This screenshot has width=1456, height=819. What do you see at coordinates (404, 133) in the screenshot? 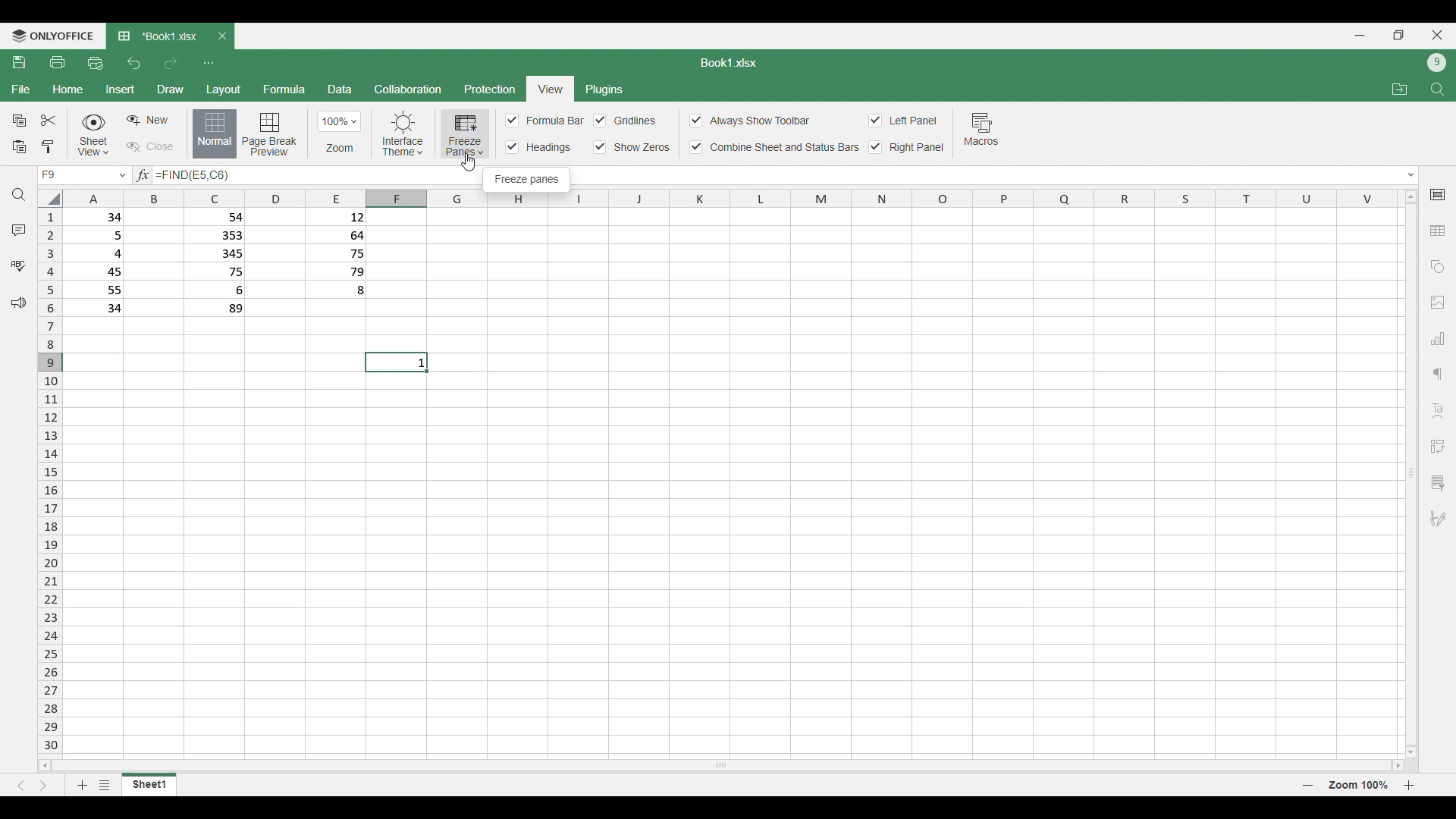
I see `Interface theme options` at bounding box center [404, 133].